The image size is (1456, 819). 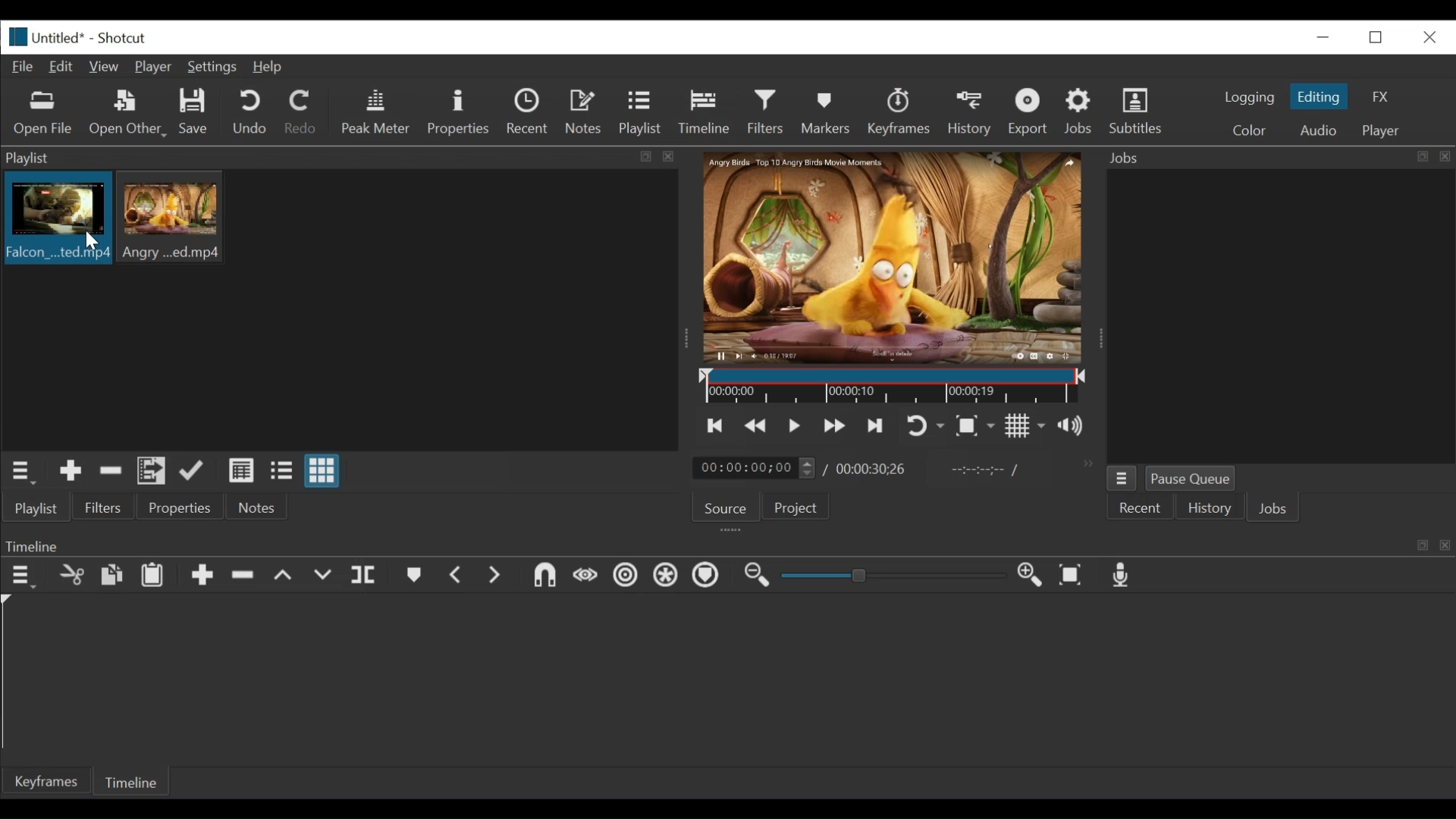 I want to click on Toggle zoom, so click(x=974, y=427).